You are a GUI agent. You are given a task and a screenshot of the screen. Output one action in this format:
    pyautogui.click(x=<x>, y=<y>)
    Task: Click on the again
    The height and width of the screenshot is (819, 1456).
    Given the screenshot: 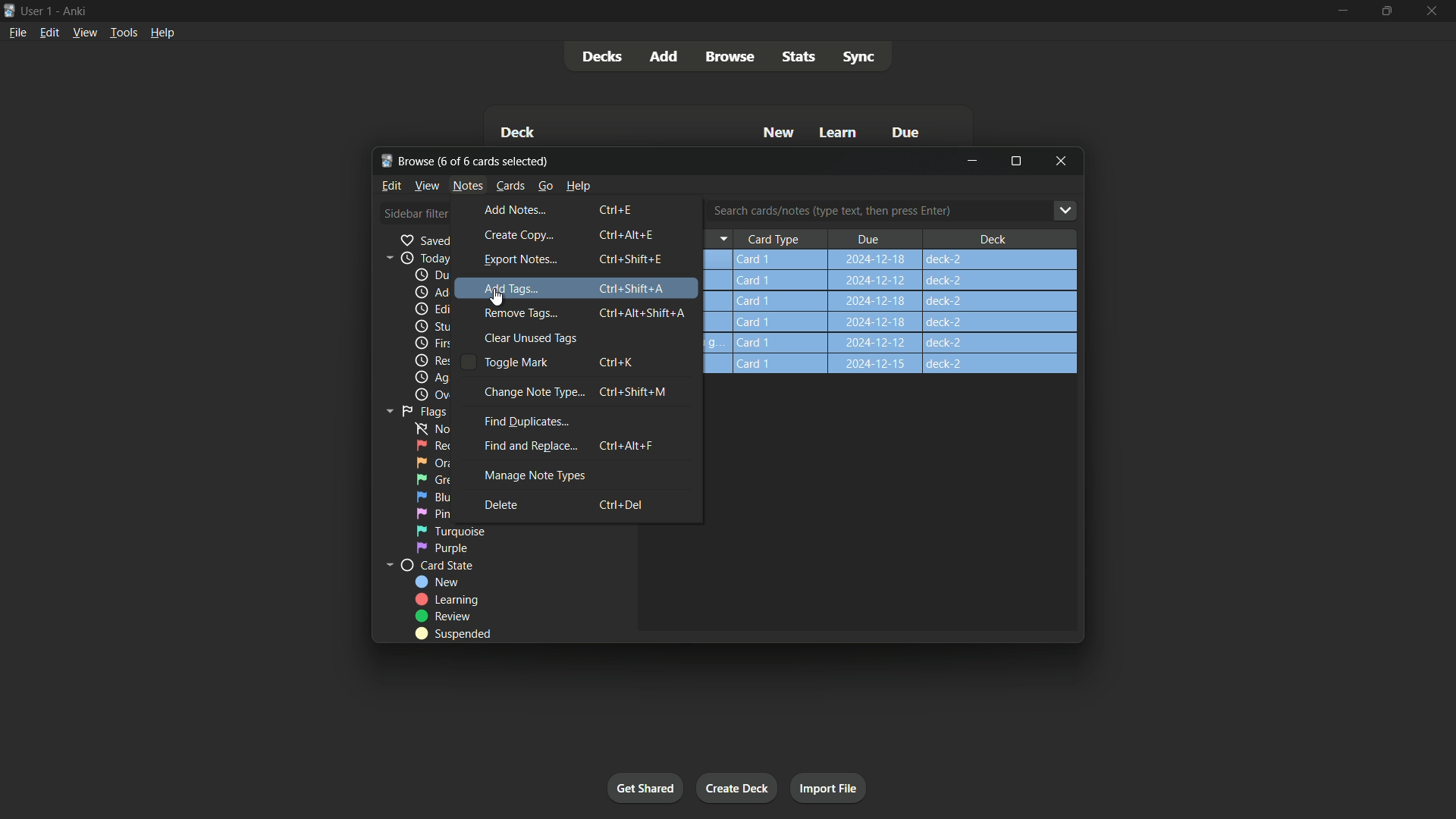 What is the action you would take?
    pyautogui.click(x=439, y=378)
    